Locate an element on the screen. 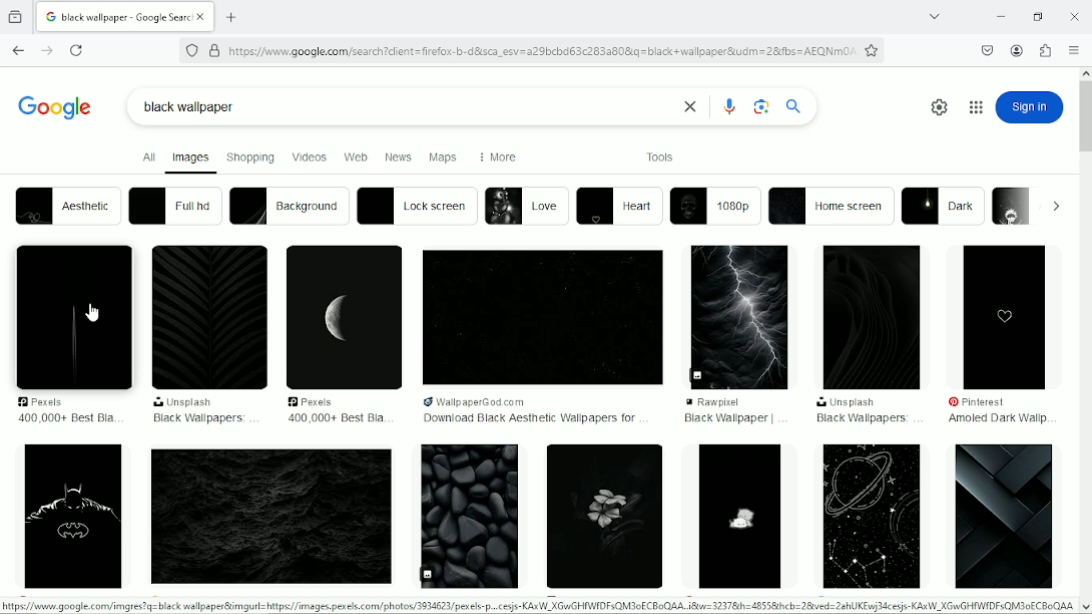 This screenshot has height=614, width=1092. 400,000+ best bia is located at coordinates (333, 418).